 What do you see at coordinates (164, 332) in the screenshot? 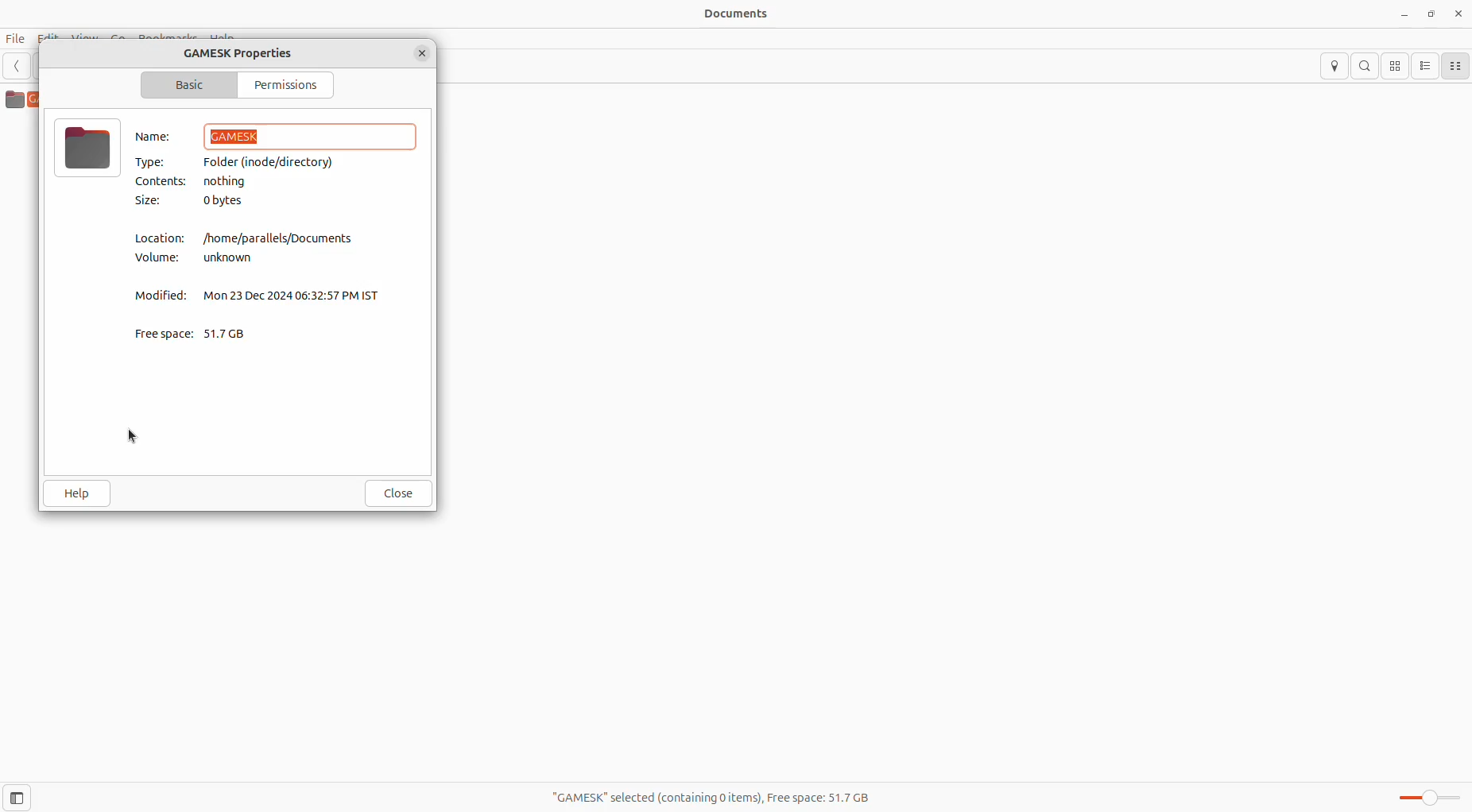
I see `Free space` at bounding box center [164, 332].